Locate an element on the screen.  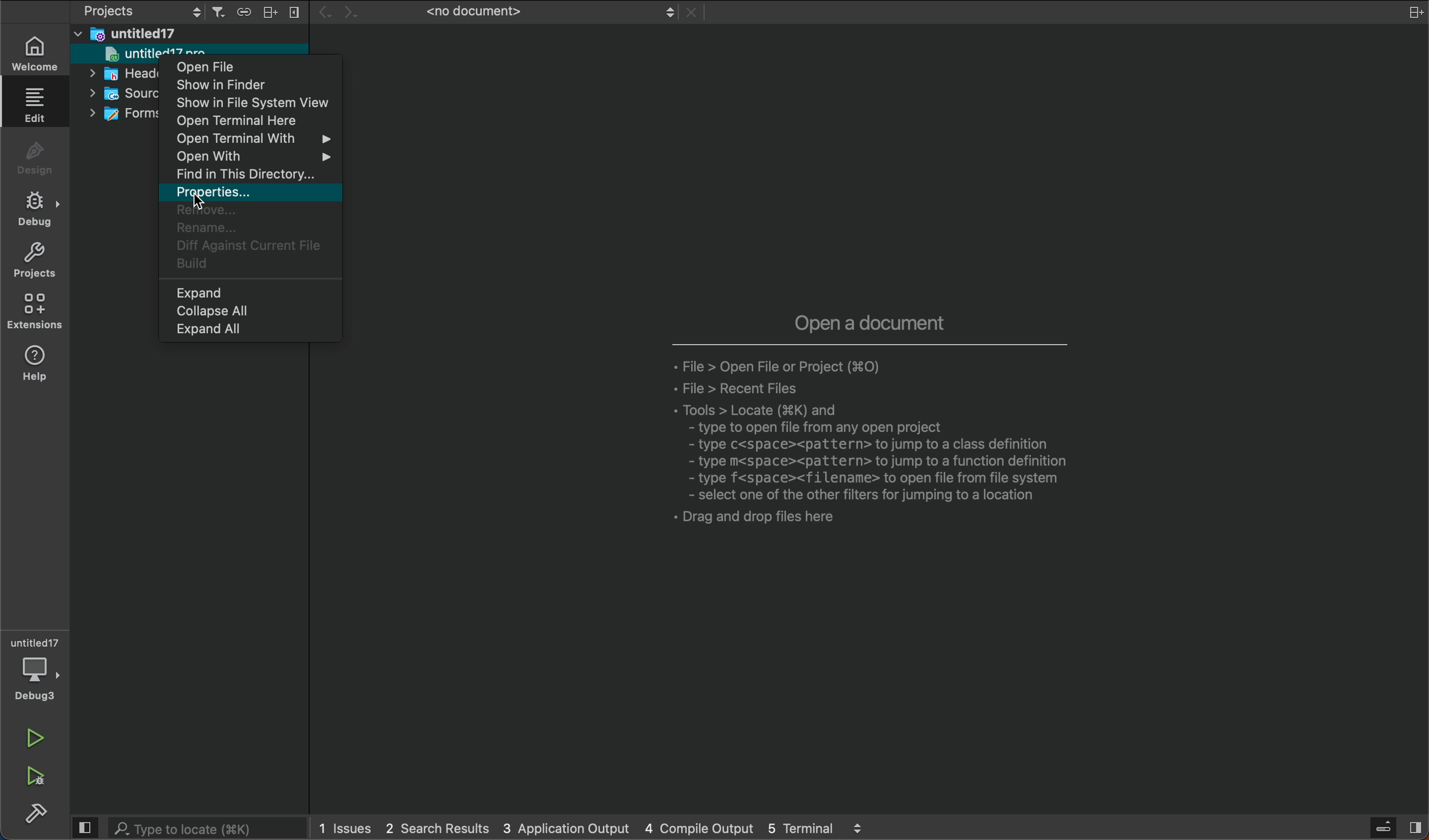
build is located at coordinates (248, 265).